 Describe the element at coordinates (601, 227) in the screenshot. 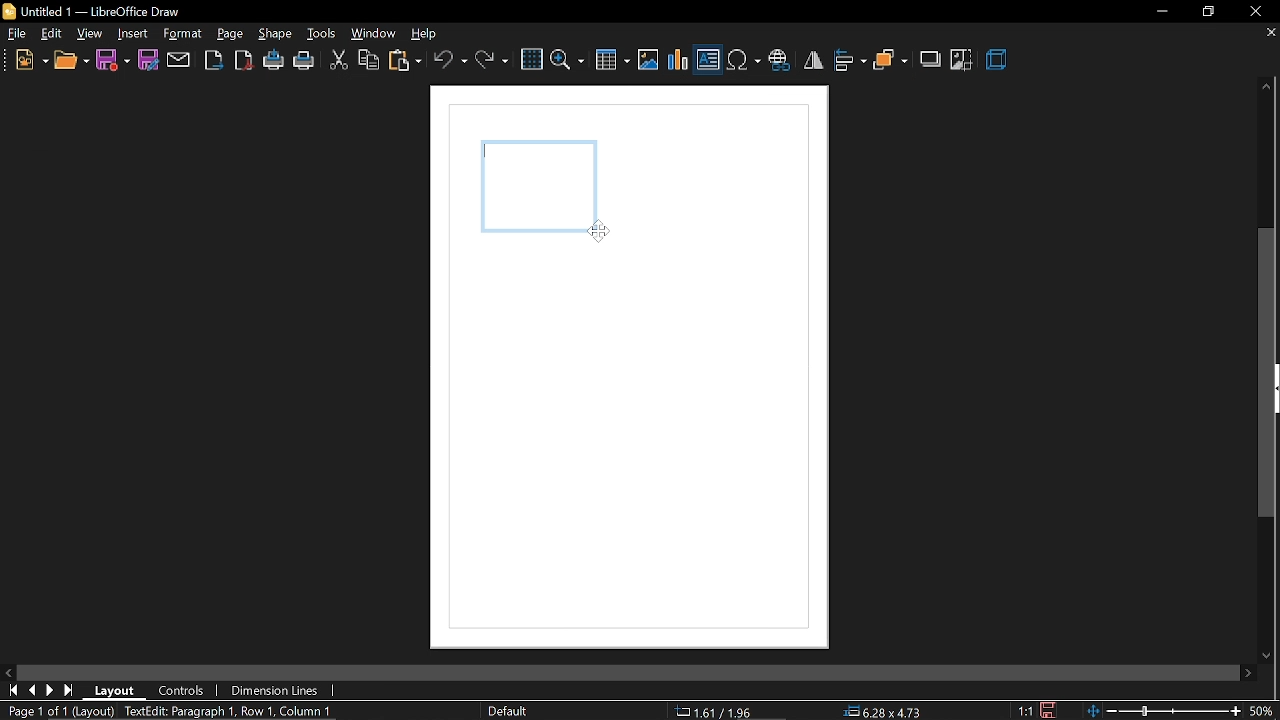

I see `Cursor` at that location.